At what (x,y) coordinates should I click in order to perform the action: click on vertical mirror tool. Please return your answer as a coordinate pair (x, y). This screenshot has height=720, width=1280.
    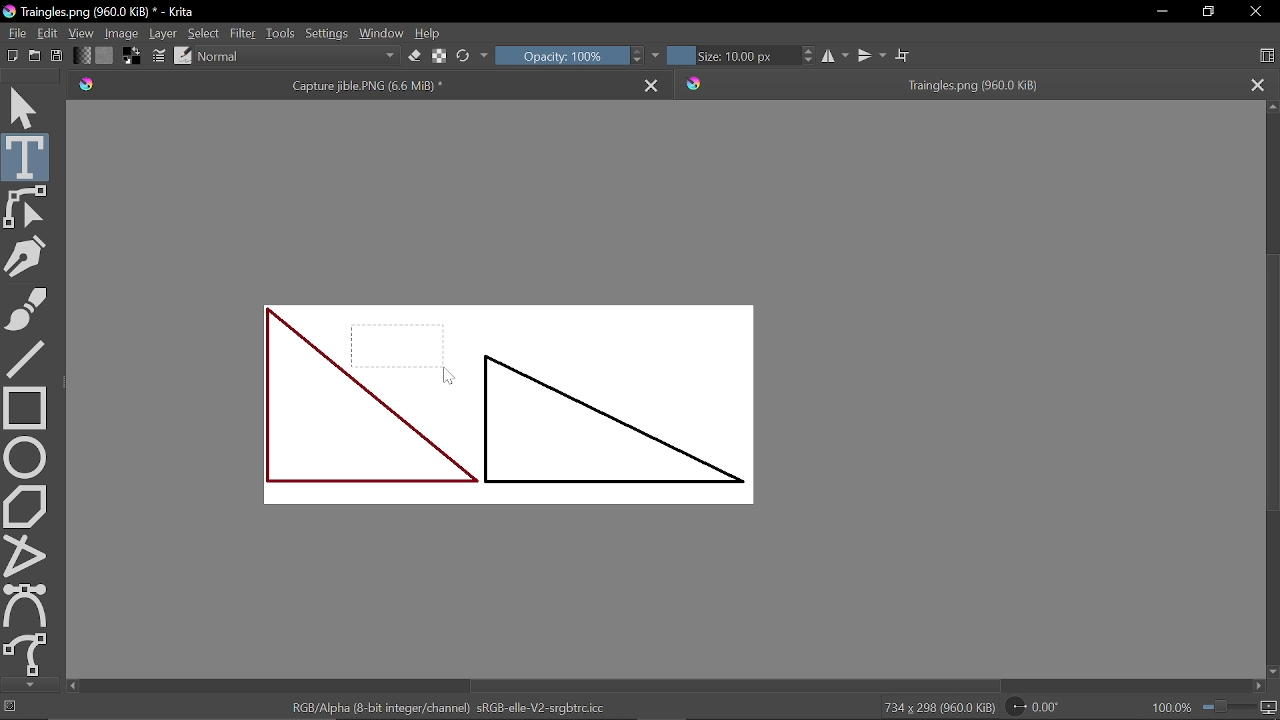
    Looking at the image, I should click on (871, 56).